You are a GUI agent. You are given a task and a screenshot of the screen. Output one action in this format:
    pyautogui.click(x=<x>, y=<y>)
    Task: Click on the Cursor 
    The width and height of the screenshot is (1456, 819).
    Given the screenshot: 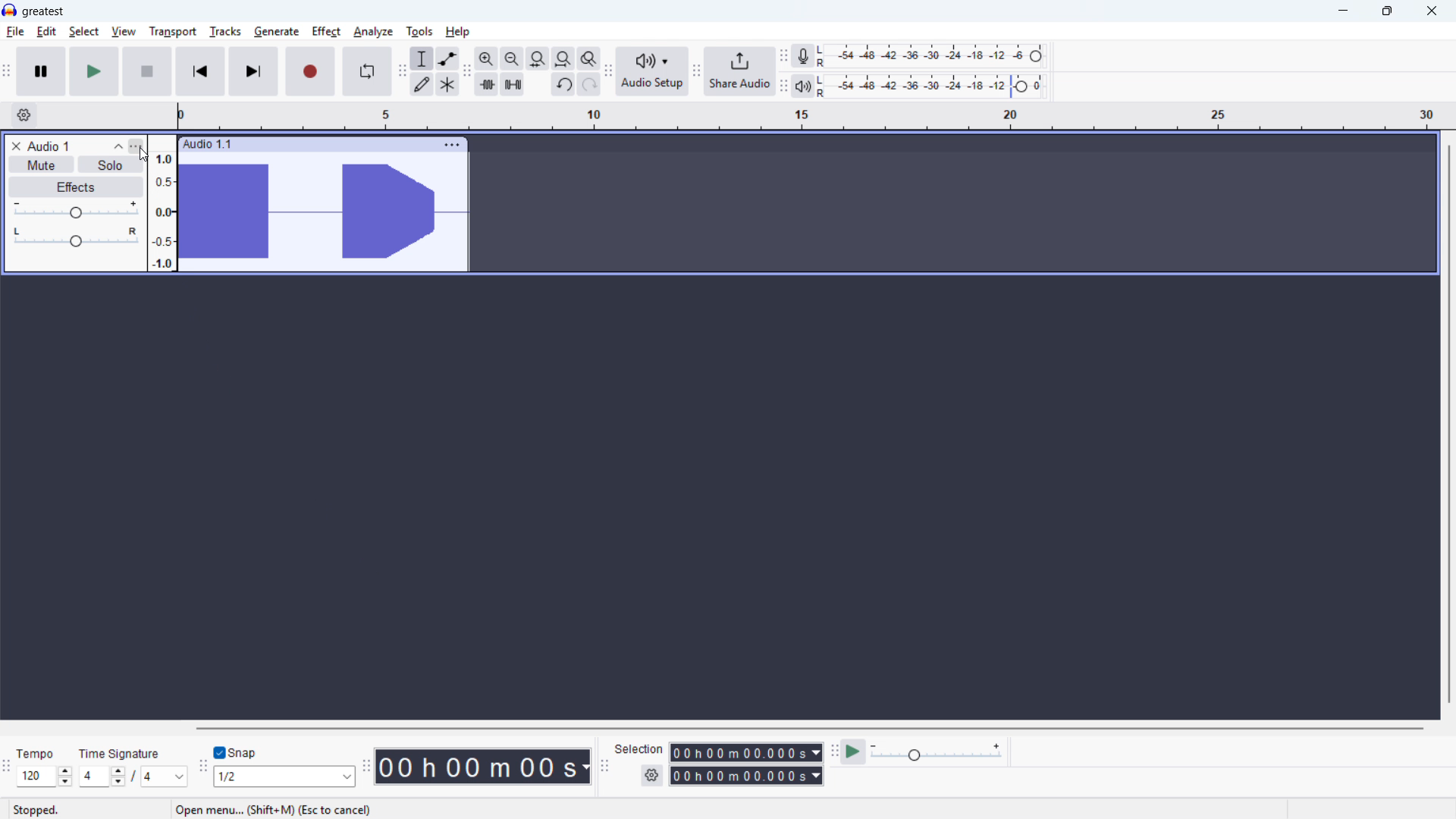 What is the action you would take?
    pyautogui.click(x=145, y=155)
    